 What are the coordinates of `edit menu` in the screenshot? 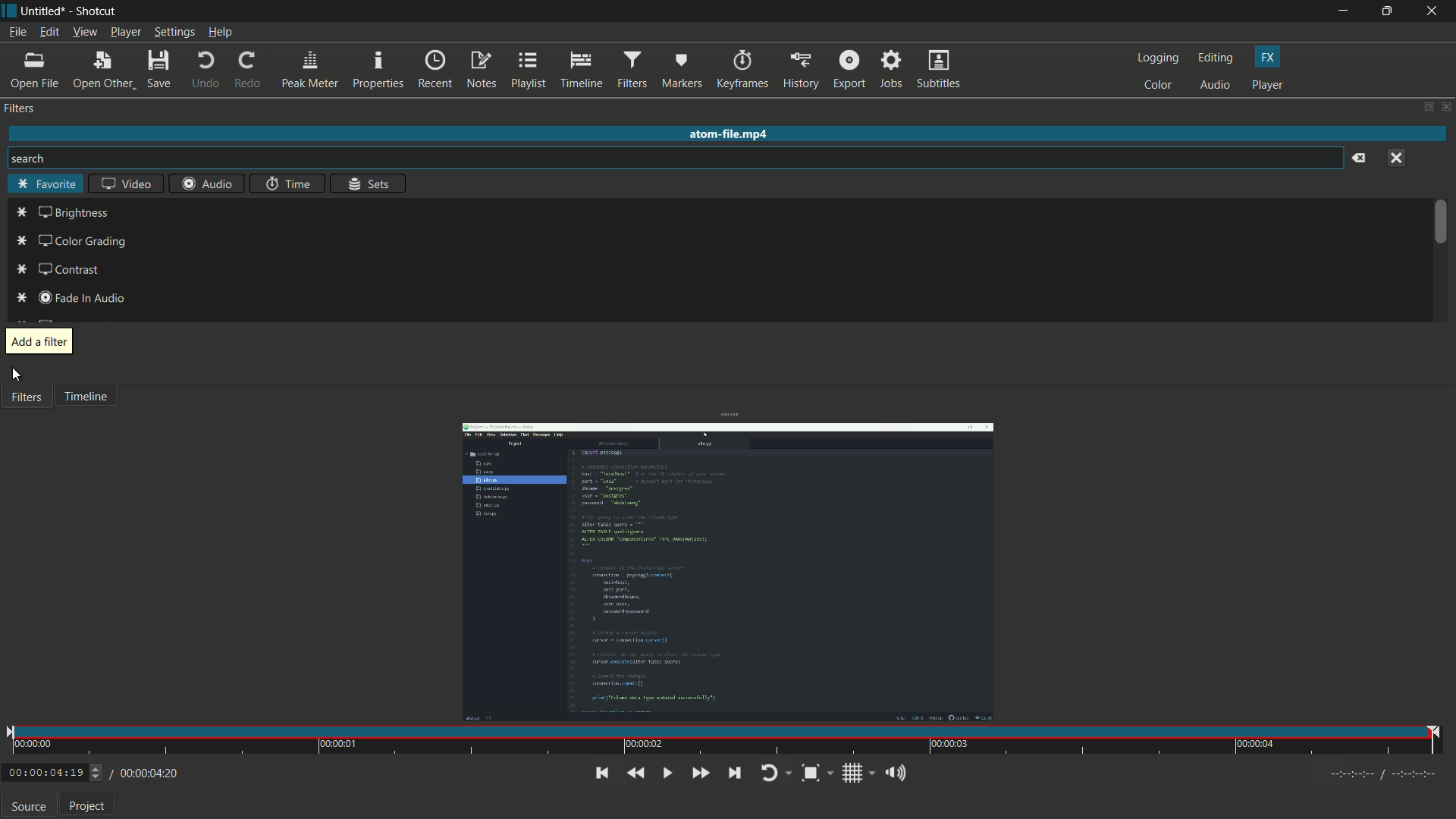 It's located at (49, 32).